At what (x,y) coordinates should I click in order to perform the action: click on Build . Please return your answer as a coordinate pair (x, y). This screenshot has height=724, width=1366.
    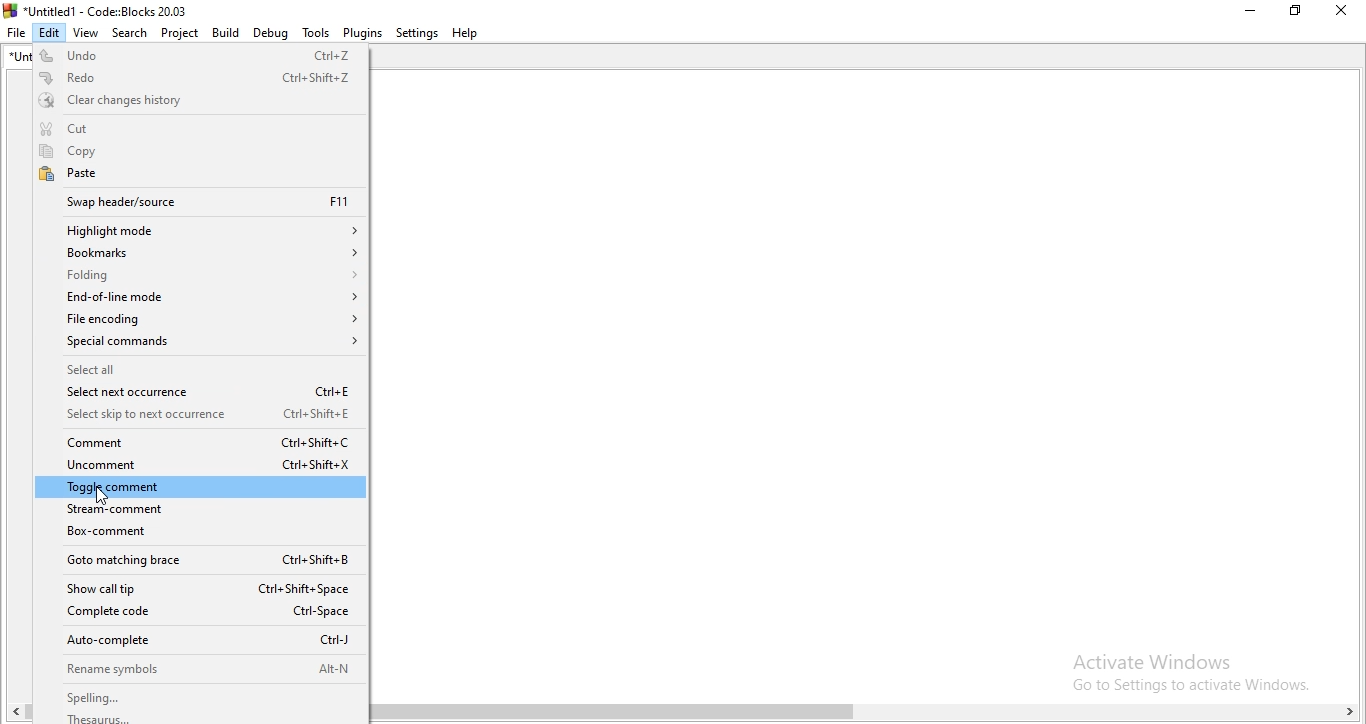
    Looking at the image, I should click on (225, 32).